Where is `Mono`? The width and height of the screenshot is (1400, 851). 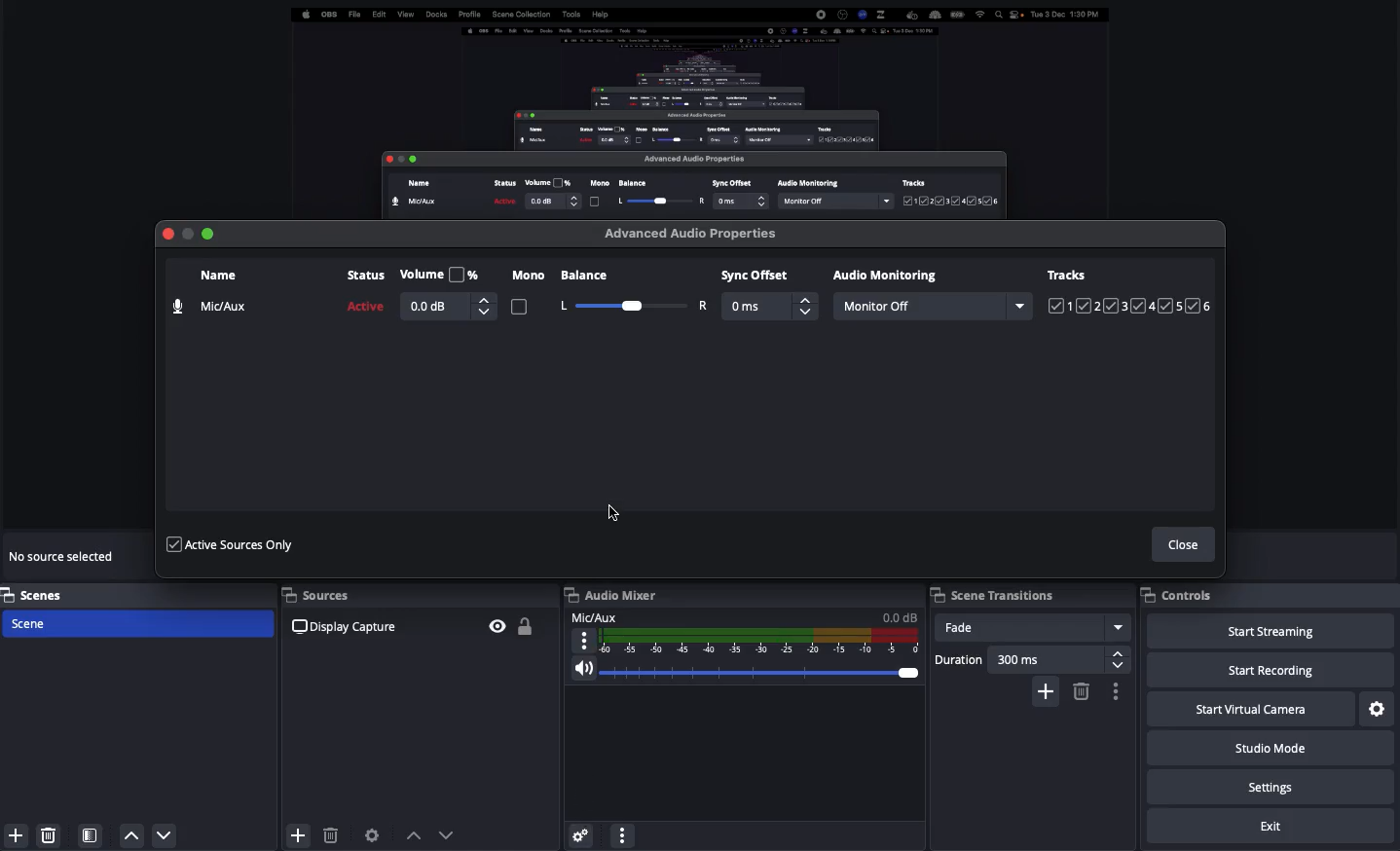 Mono is located at coordinates (527, 294).